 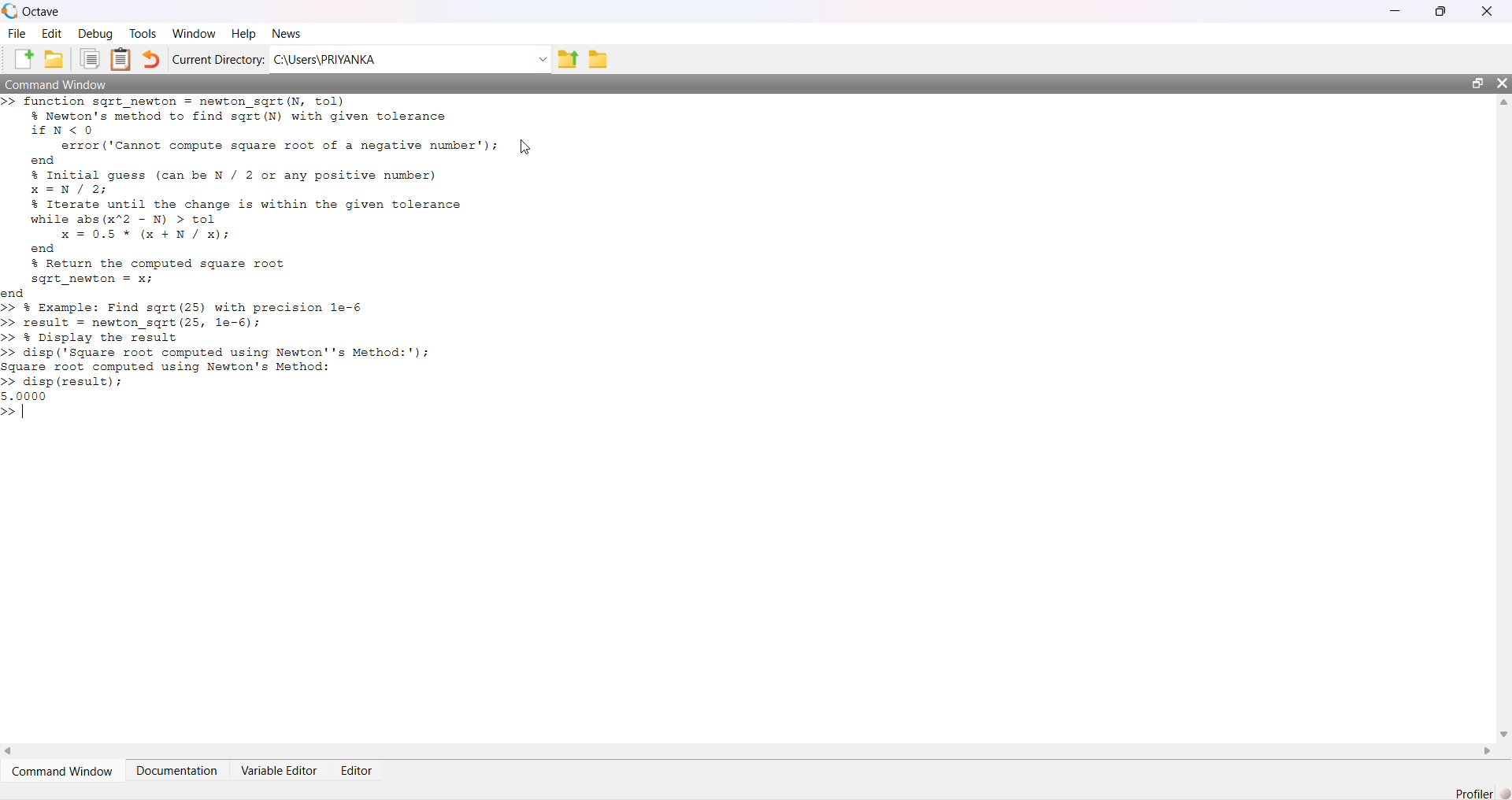 What do you see at coordinates (41, 10) in the screenshot?
I see `Octave` at bounding box center [41, 10].